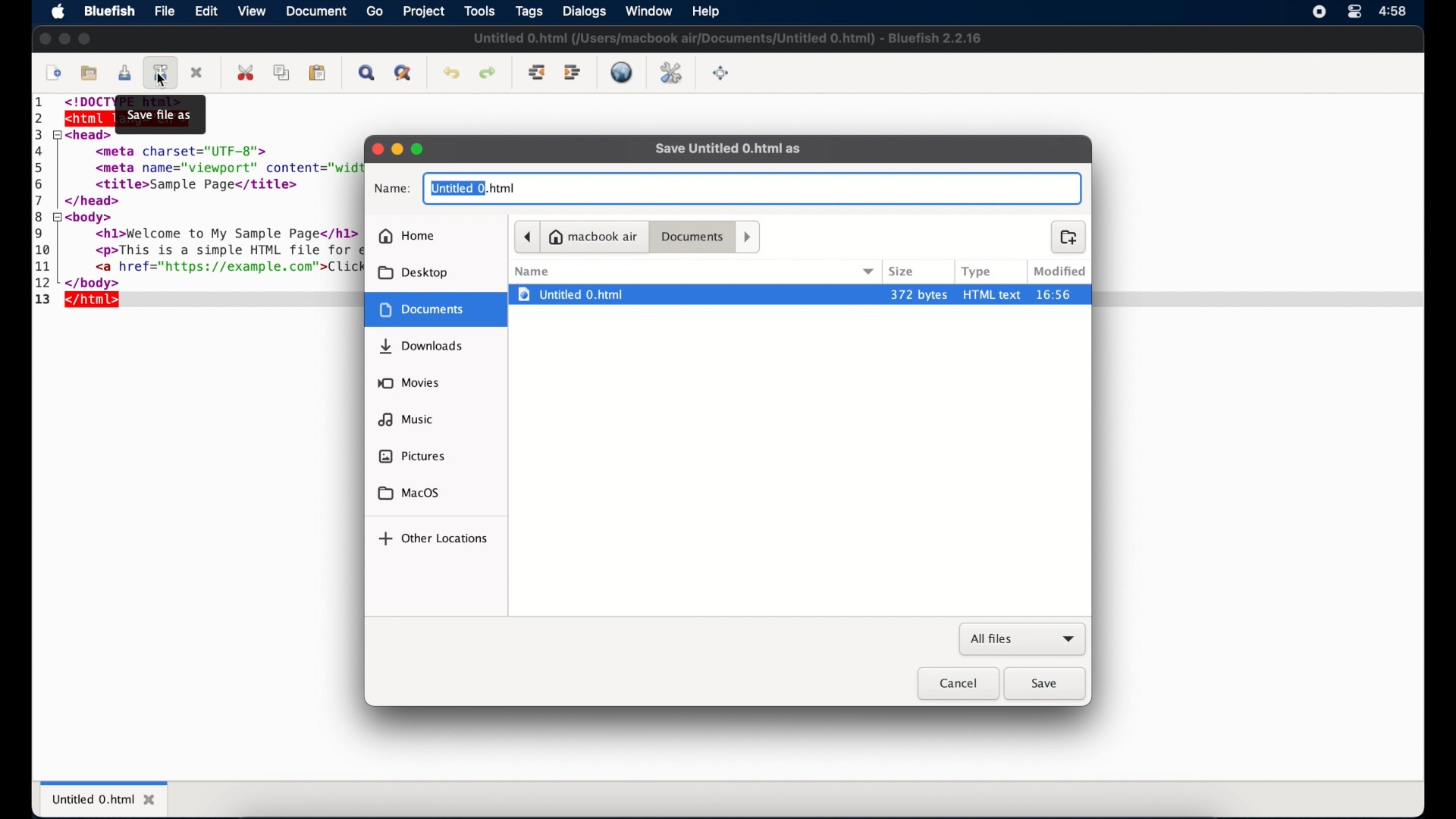 This screenshot has height=819, width=1456. I want to click on new, so click(54, 74).